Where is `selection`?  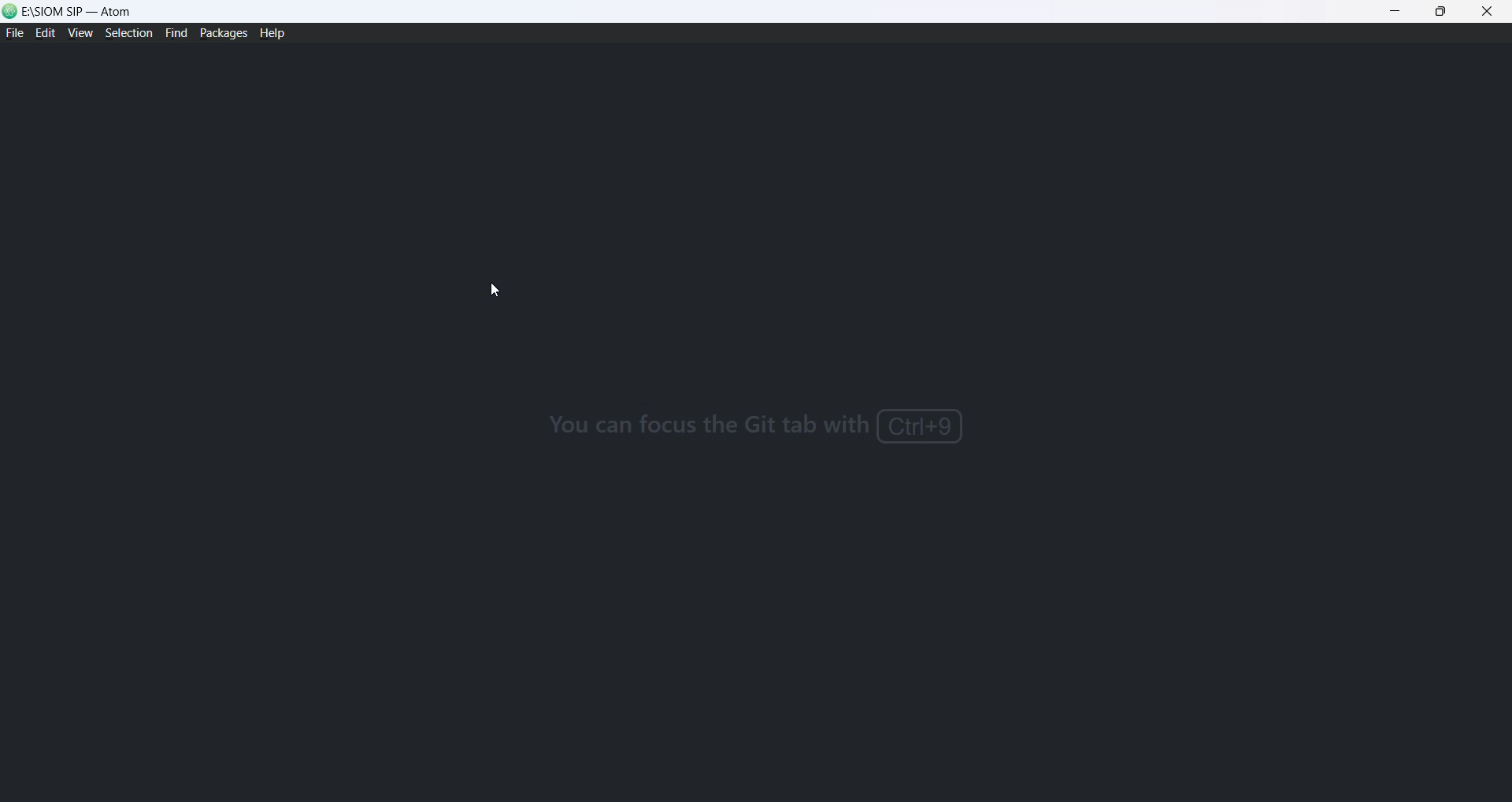 selection is located at coordinates (127, 35).